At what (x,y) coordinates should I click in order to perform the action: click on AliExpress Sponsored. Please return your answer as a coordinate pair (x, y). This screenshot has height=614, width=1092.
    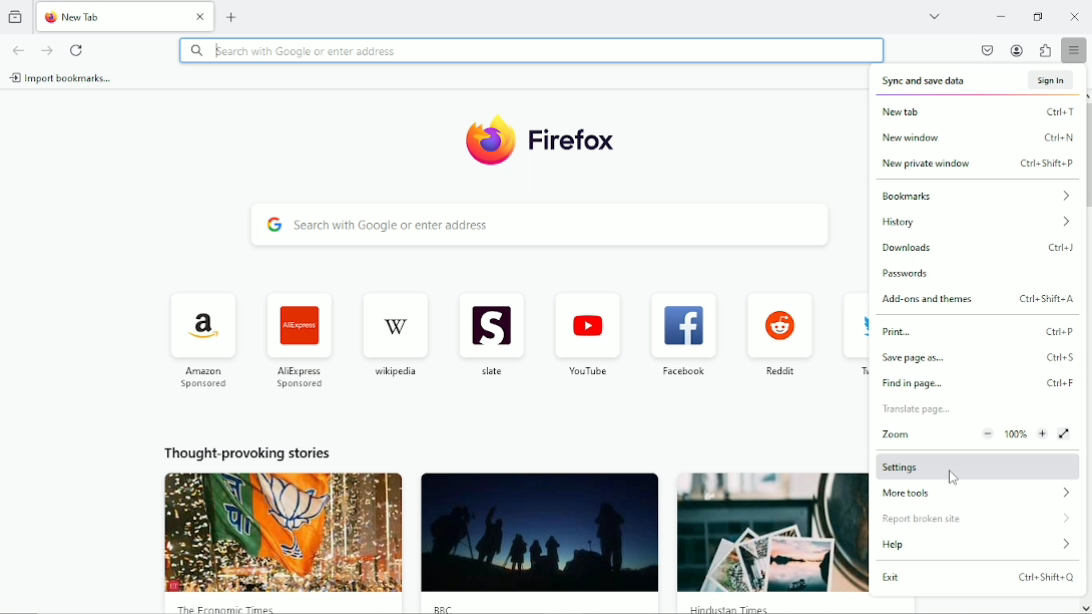
    Looking at the image, I should click on (298, 338).